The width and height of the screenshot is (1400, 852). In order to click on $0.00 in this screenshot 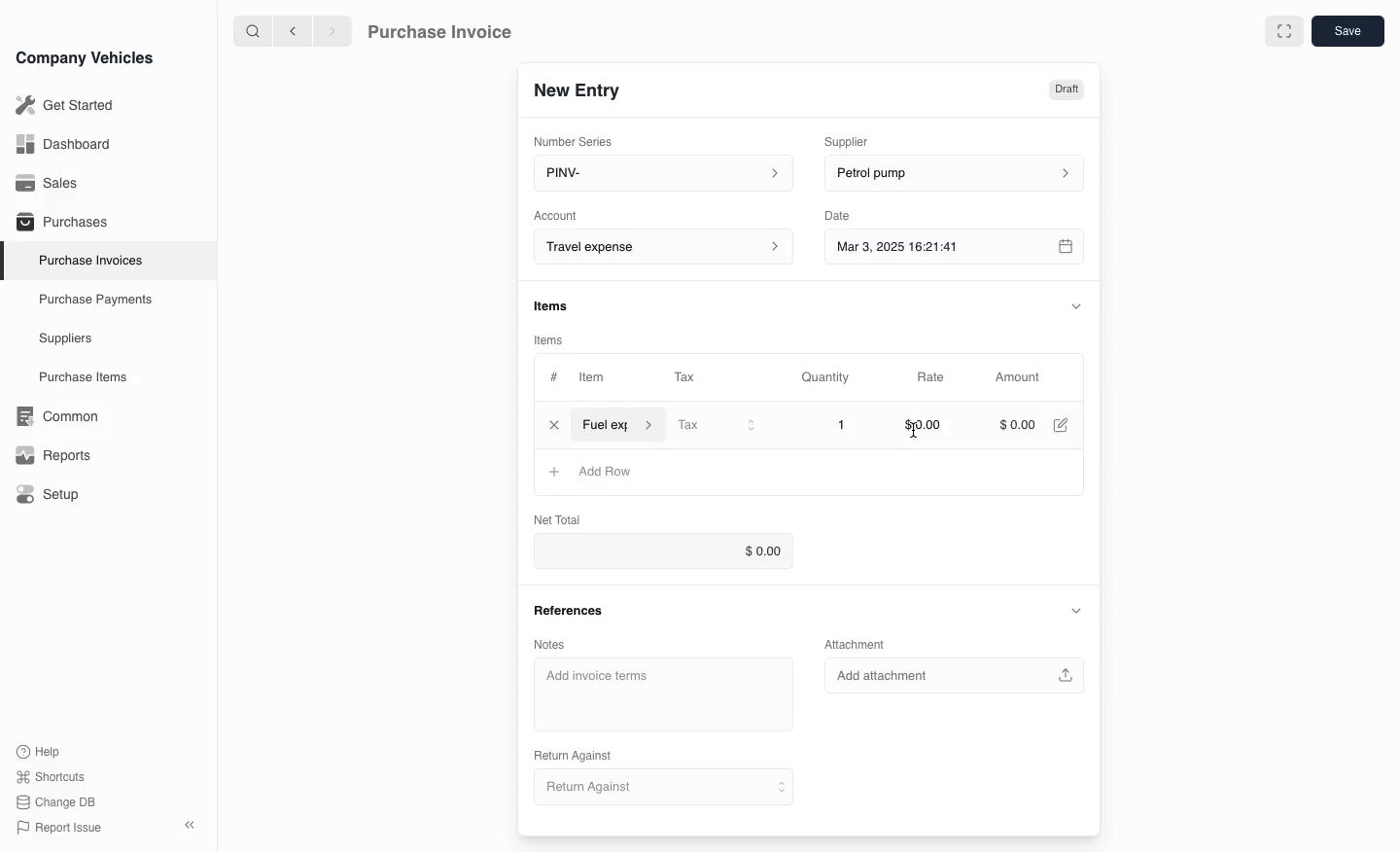, I will do `click(674, 552)`.